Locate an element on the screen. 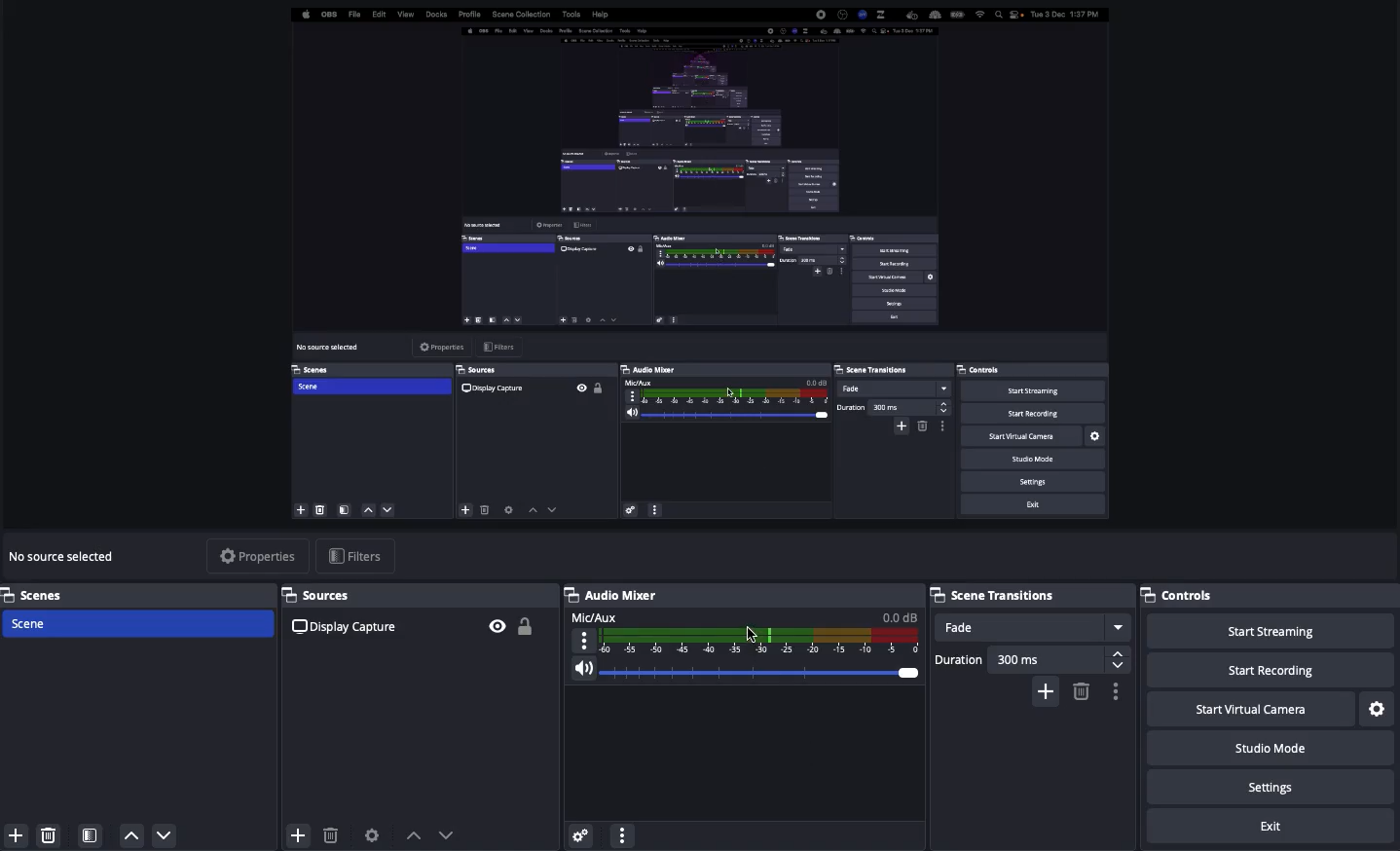  Display capture is located at coordinates (350, 626).